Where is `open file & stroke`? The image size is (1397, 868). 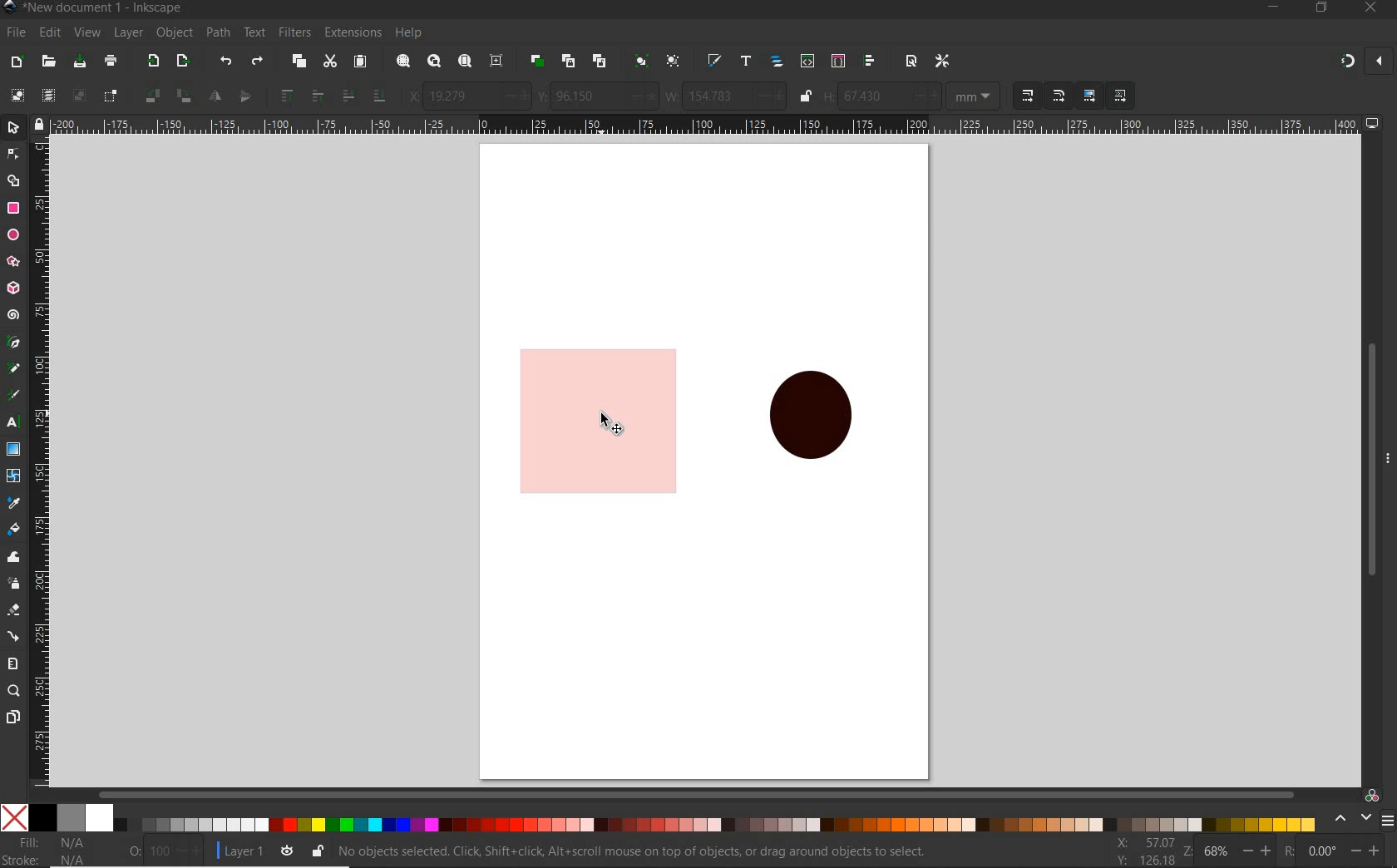
open file & stroke is located at coordinates (714, 60).